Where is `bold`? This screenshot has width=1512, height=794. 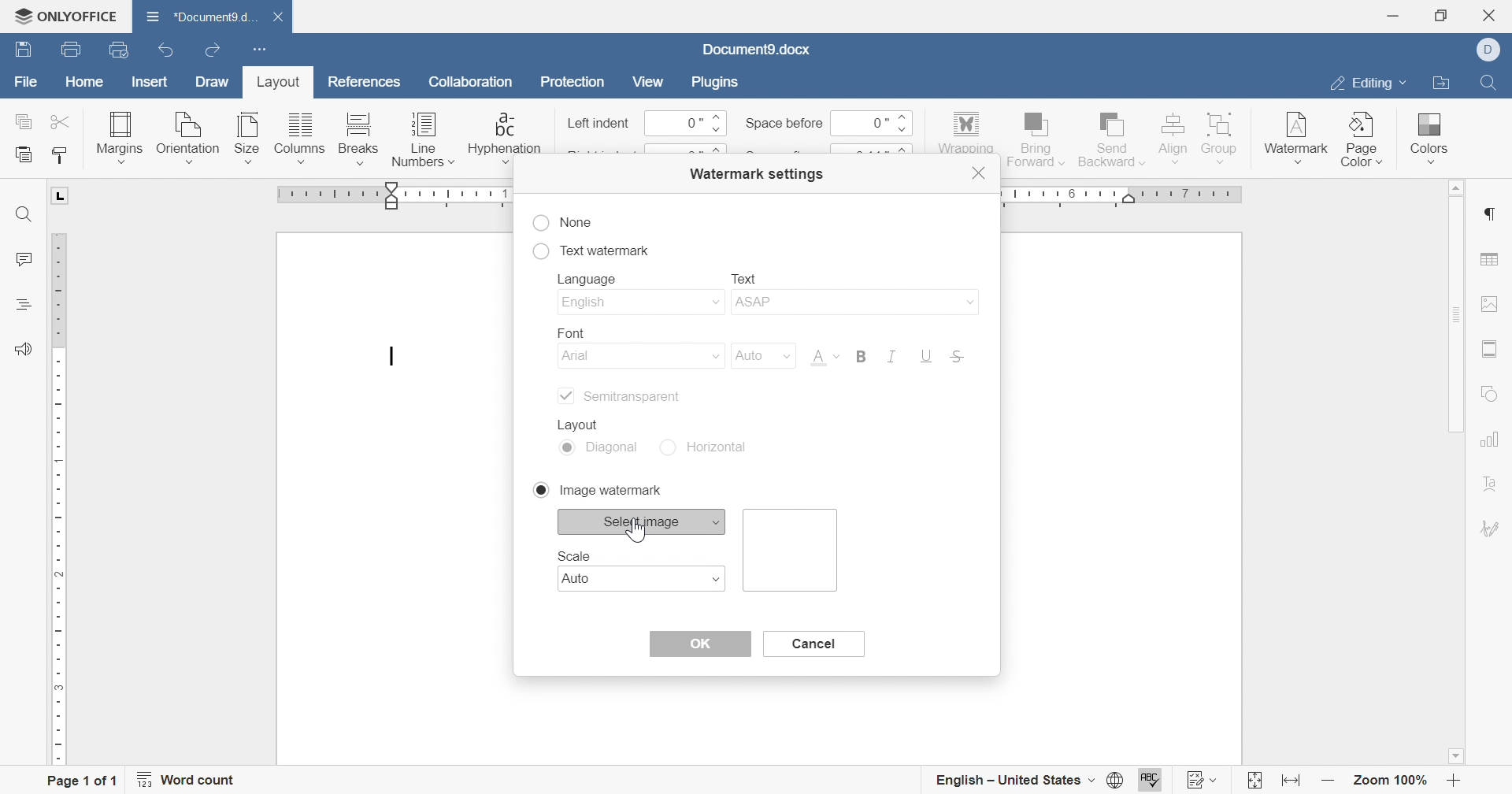 bold is located at coordinates (860, 355).